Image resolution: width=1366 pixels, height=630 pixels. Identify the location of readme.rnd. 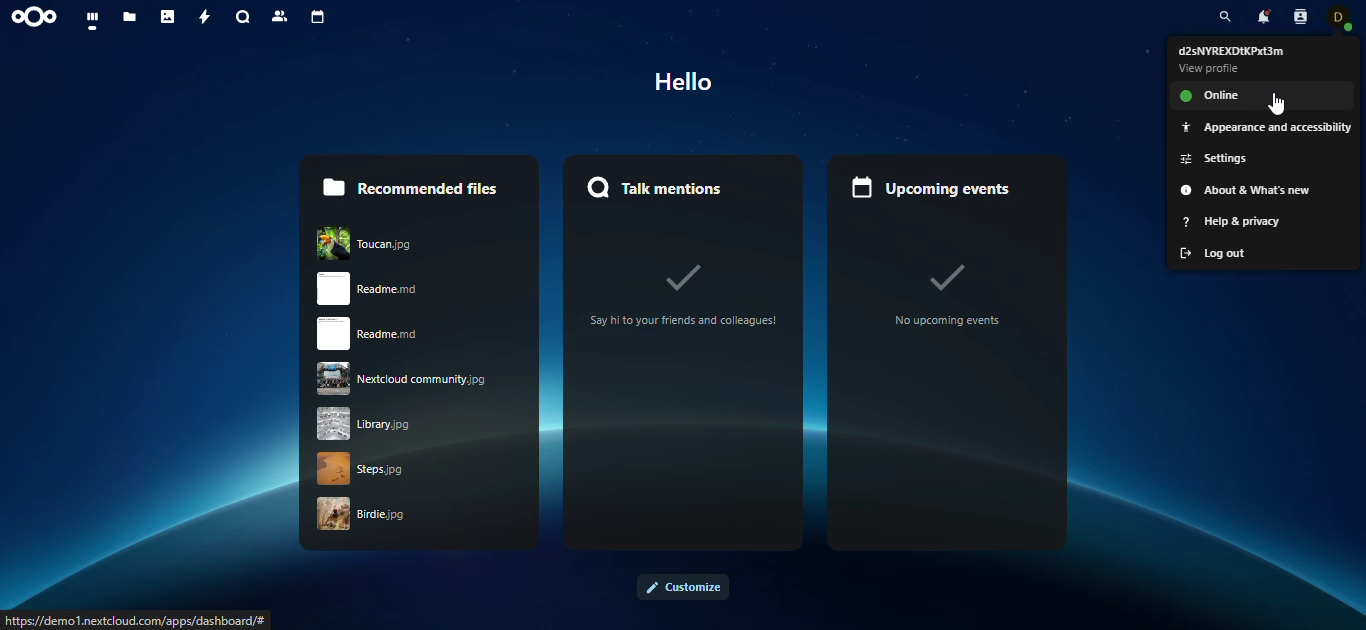
(404, 334).